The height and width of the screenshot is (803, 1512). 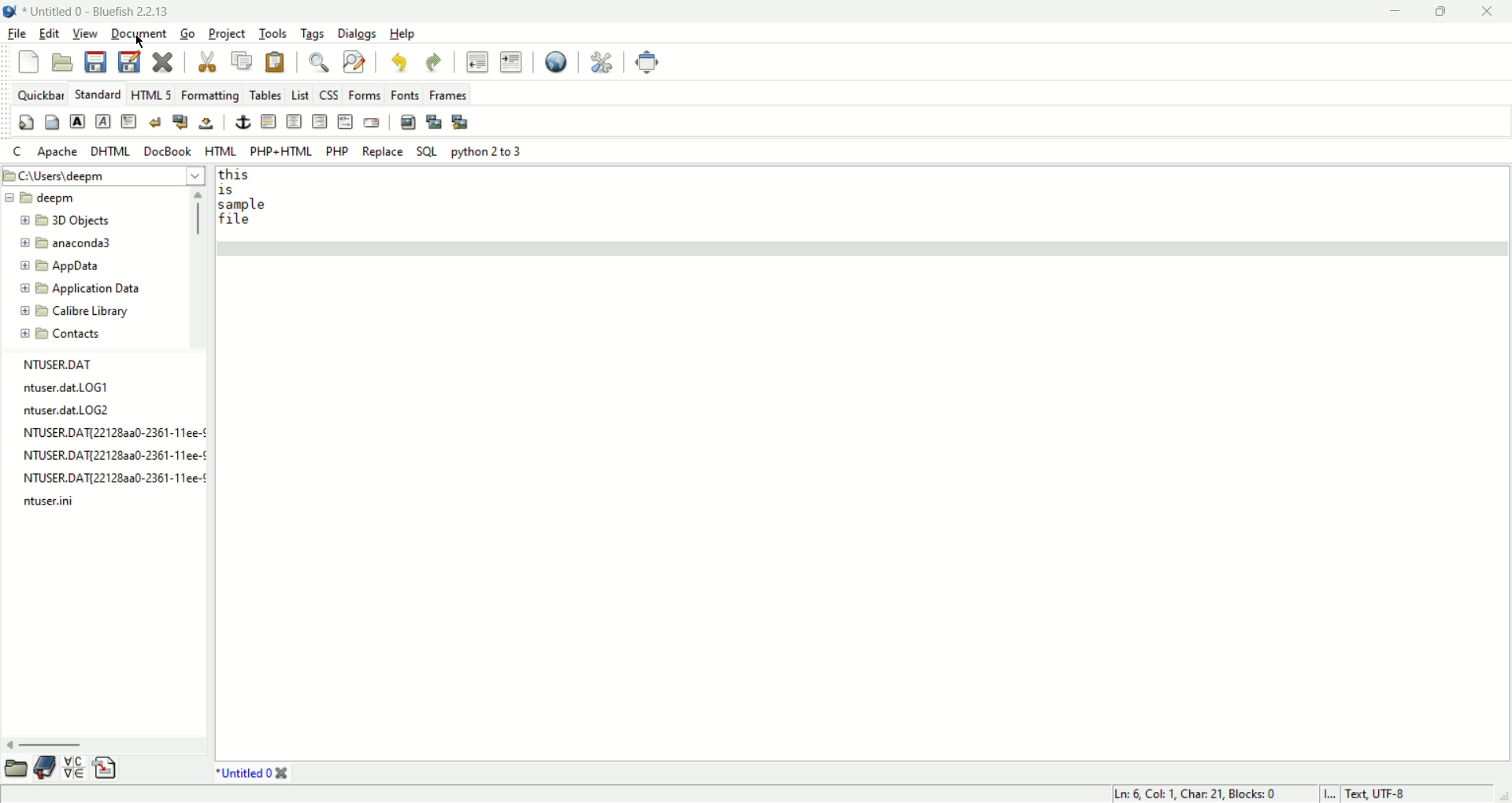 I want to click on right justify, so click(x=320, y=122).